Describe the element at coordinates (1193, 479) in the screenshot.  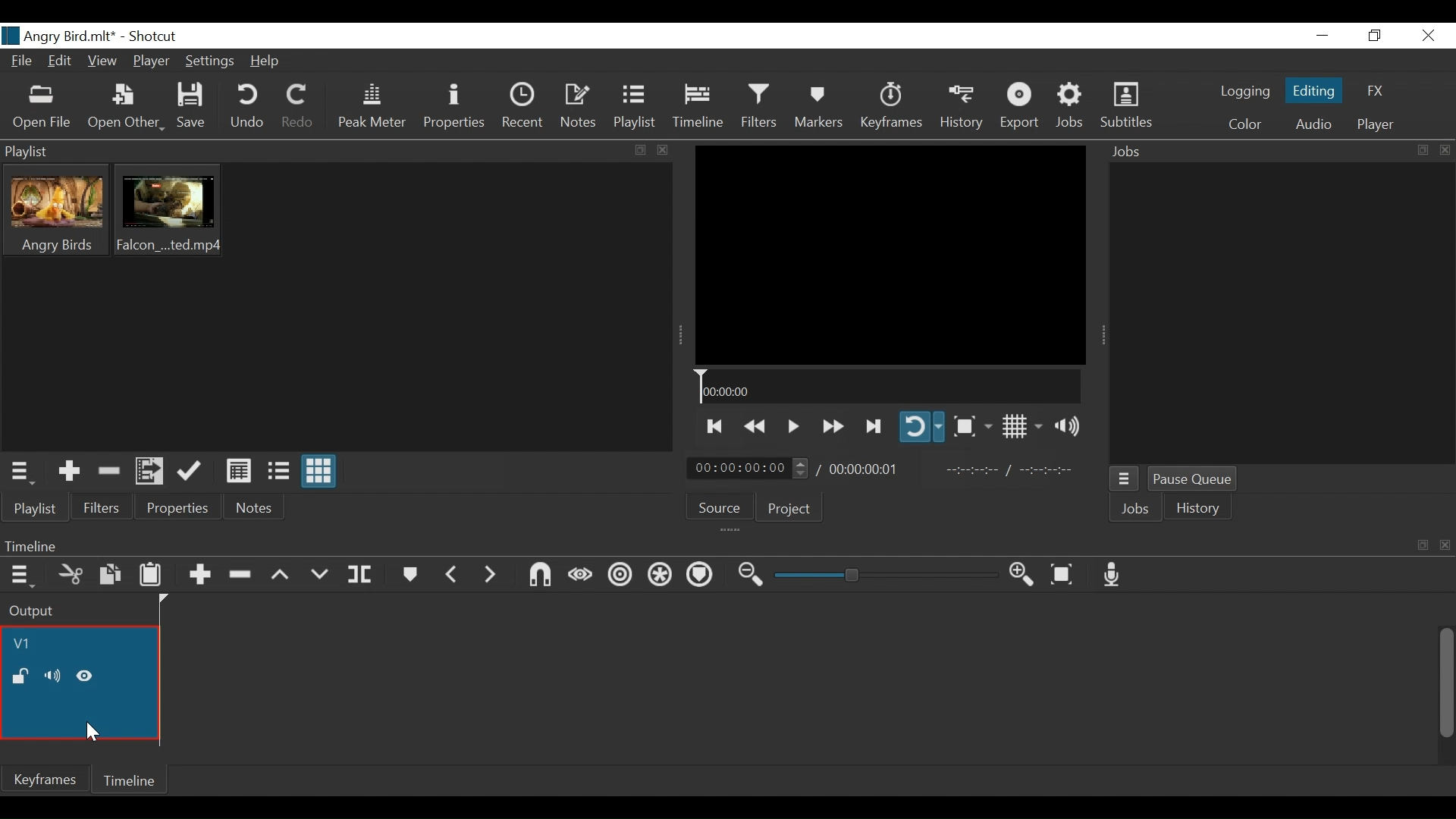
I see `Pause Queue` at that location.